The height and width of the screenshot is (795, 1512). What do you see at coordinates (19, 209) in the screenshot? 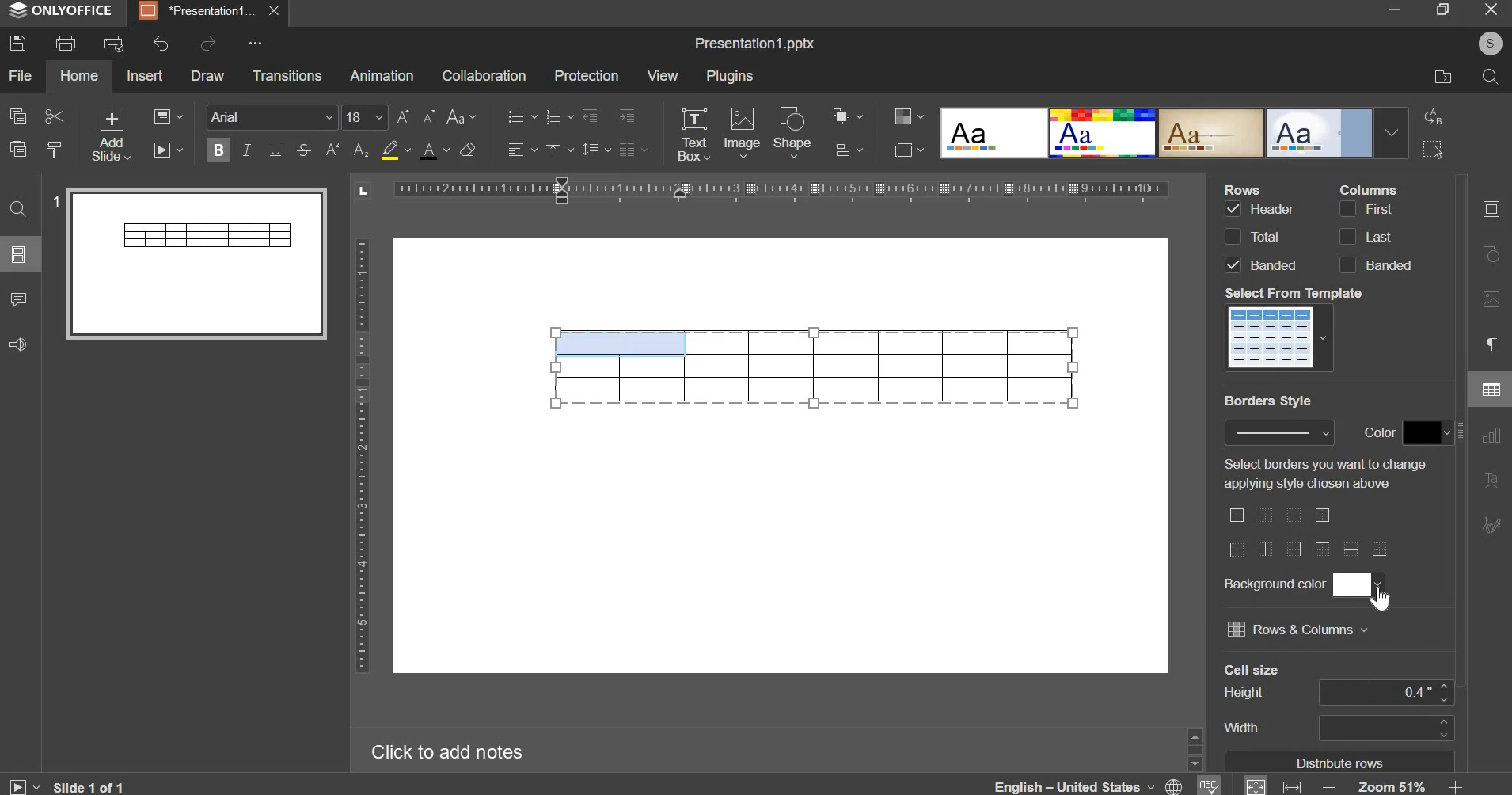
I see `find` at bounding box center [19, 209].